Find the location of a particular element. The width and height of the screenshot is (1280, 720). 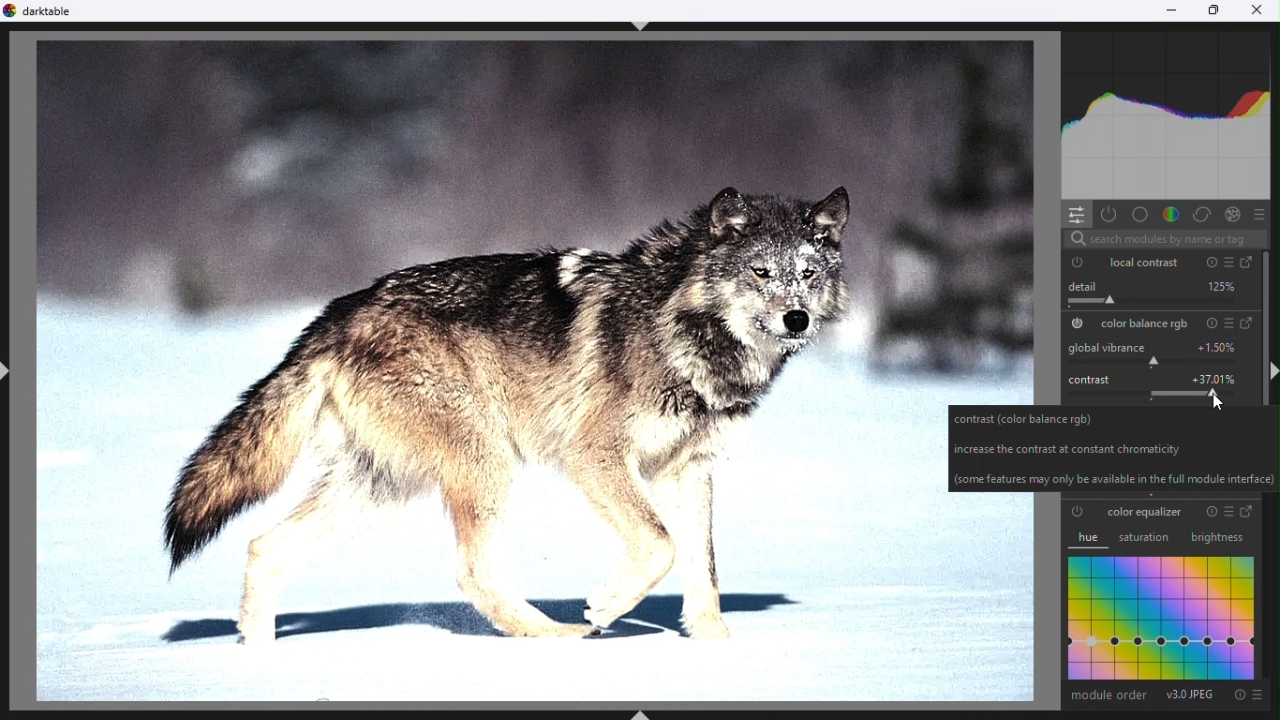

local contrast module is switched ON  is located at coordinates (1078, 262).